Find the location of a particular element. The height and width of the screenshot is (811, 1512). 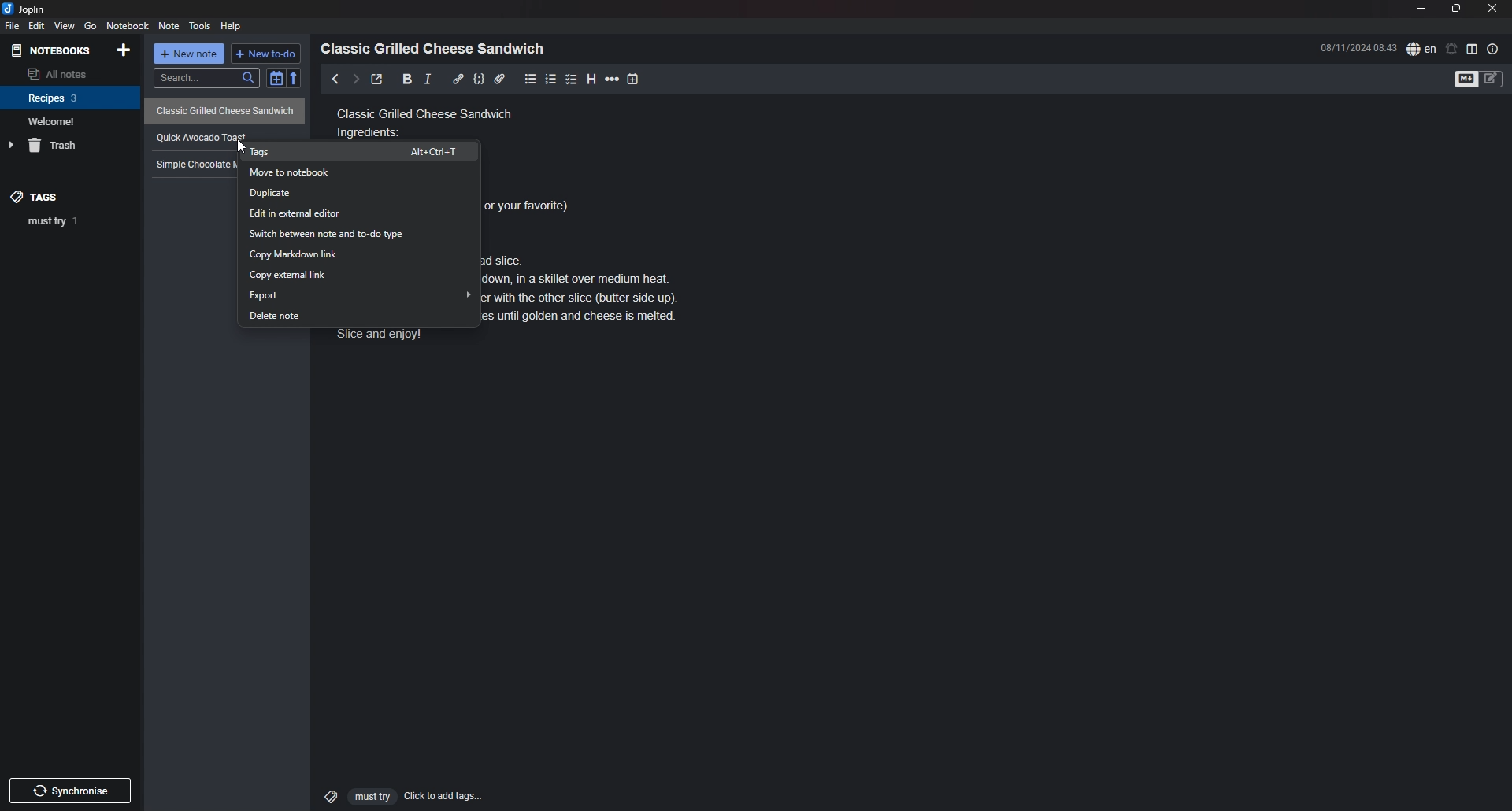

resize is located at coordinates (1456, 9).